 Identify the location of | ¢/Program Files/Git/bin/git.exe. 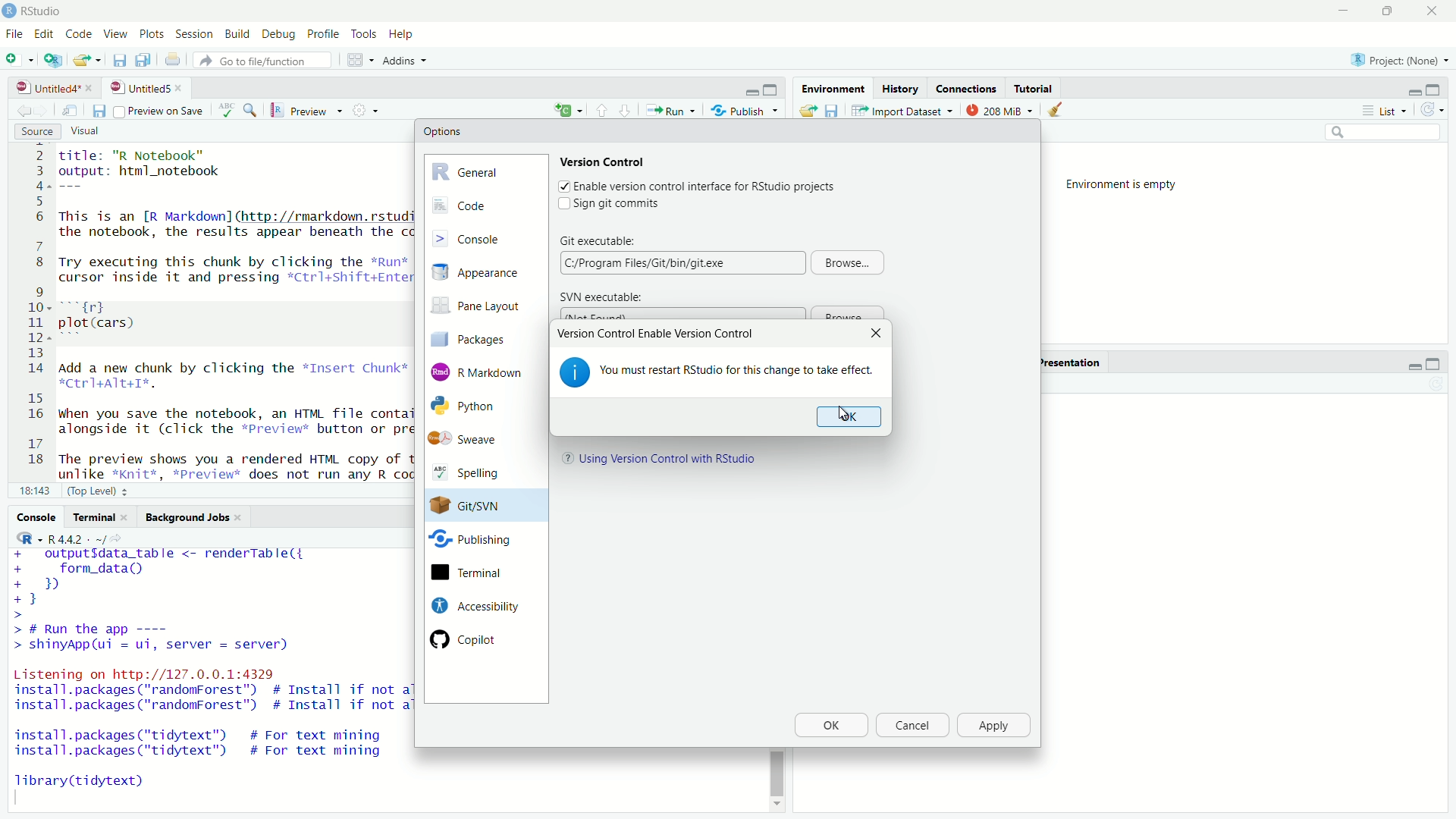
(680, 262).